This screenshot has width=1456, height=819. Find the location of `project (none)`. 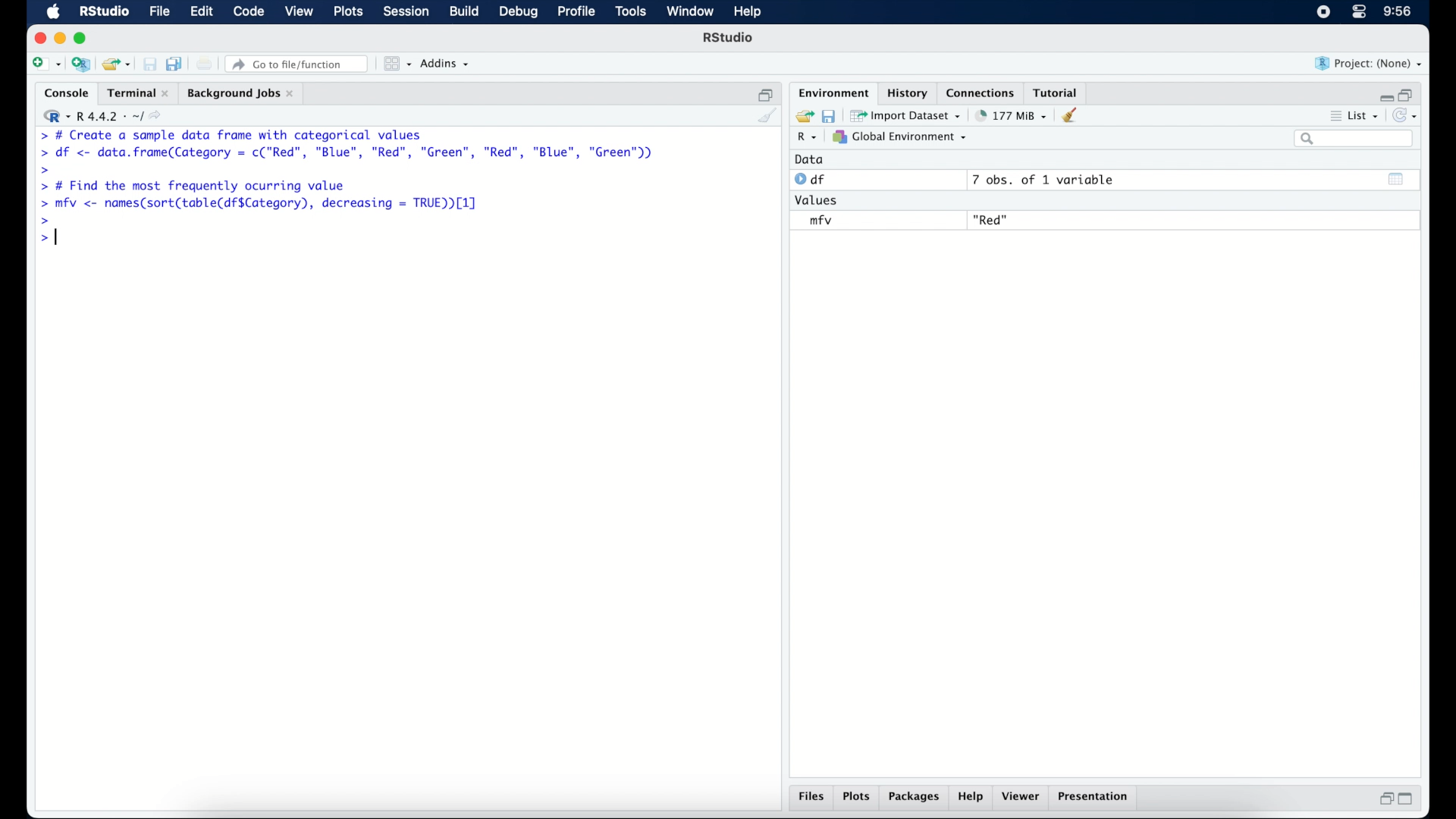

project (none) is located at coordinates (1369, 63).